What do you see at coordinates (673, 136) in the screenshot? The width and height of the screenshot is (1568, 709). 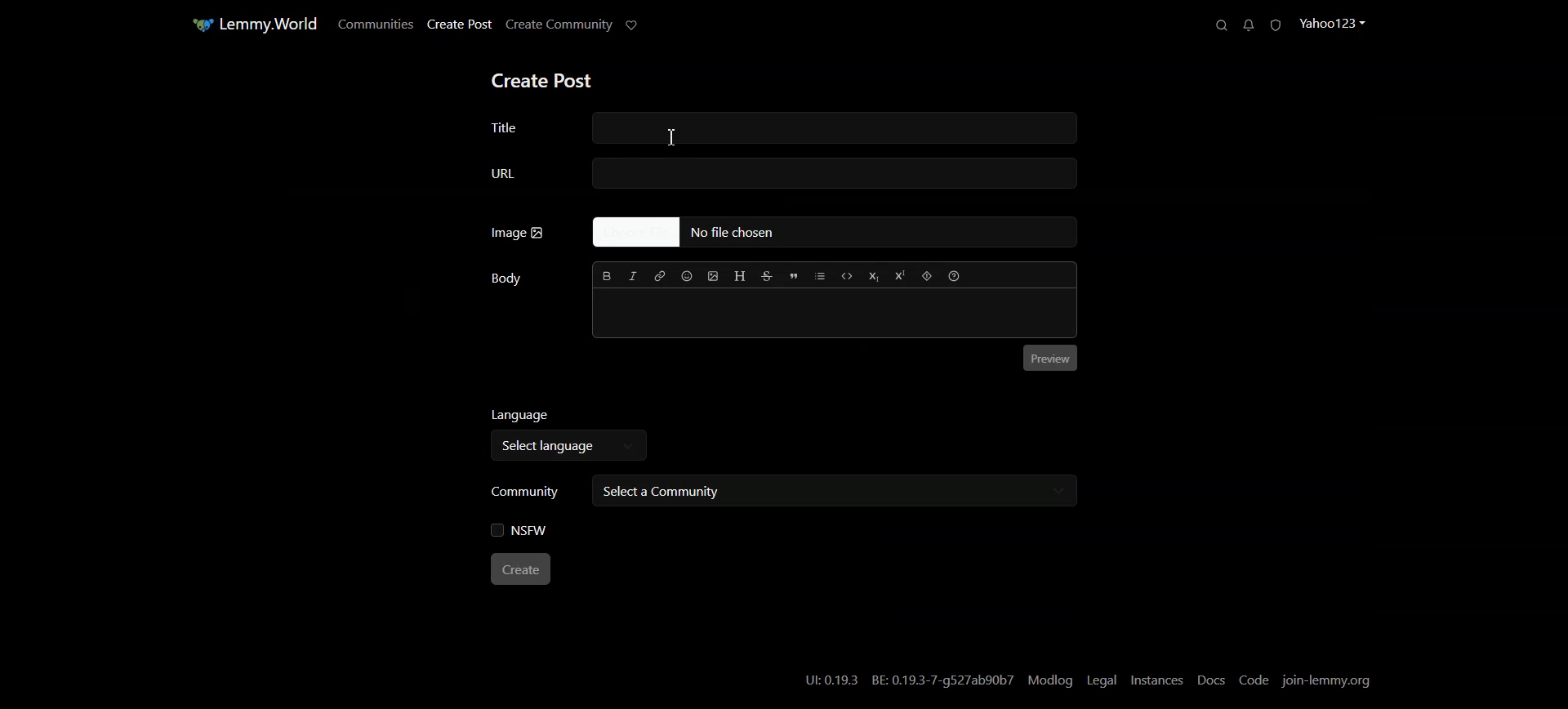 I see `Text cursor` at bounding box center [673, 136].